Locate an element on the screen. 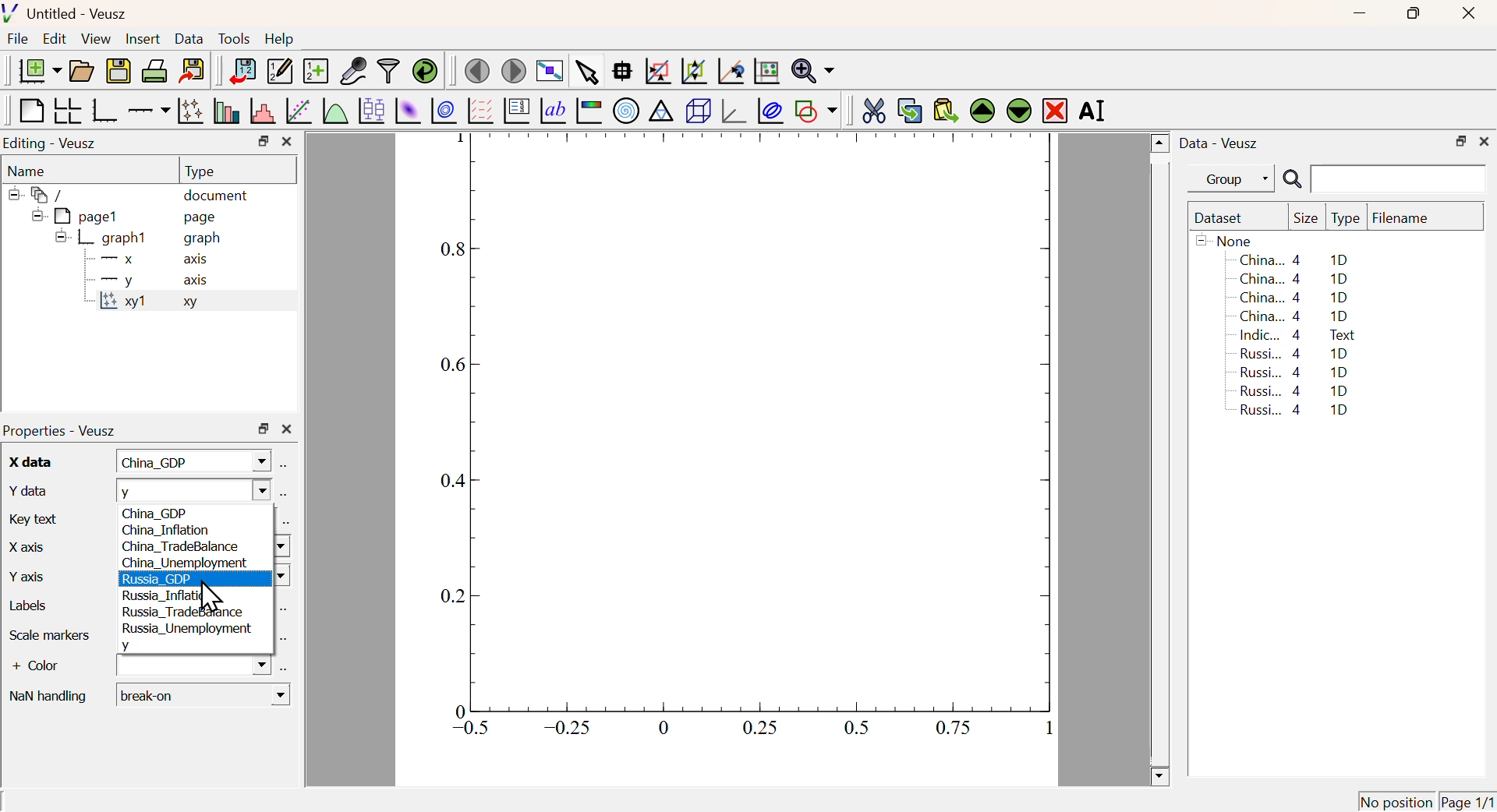 The width and height of the screenshot is (1497, 812). Editing - Veusz is located at coordinates (52, 144).